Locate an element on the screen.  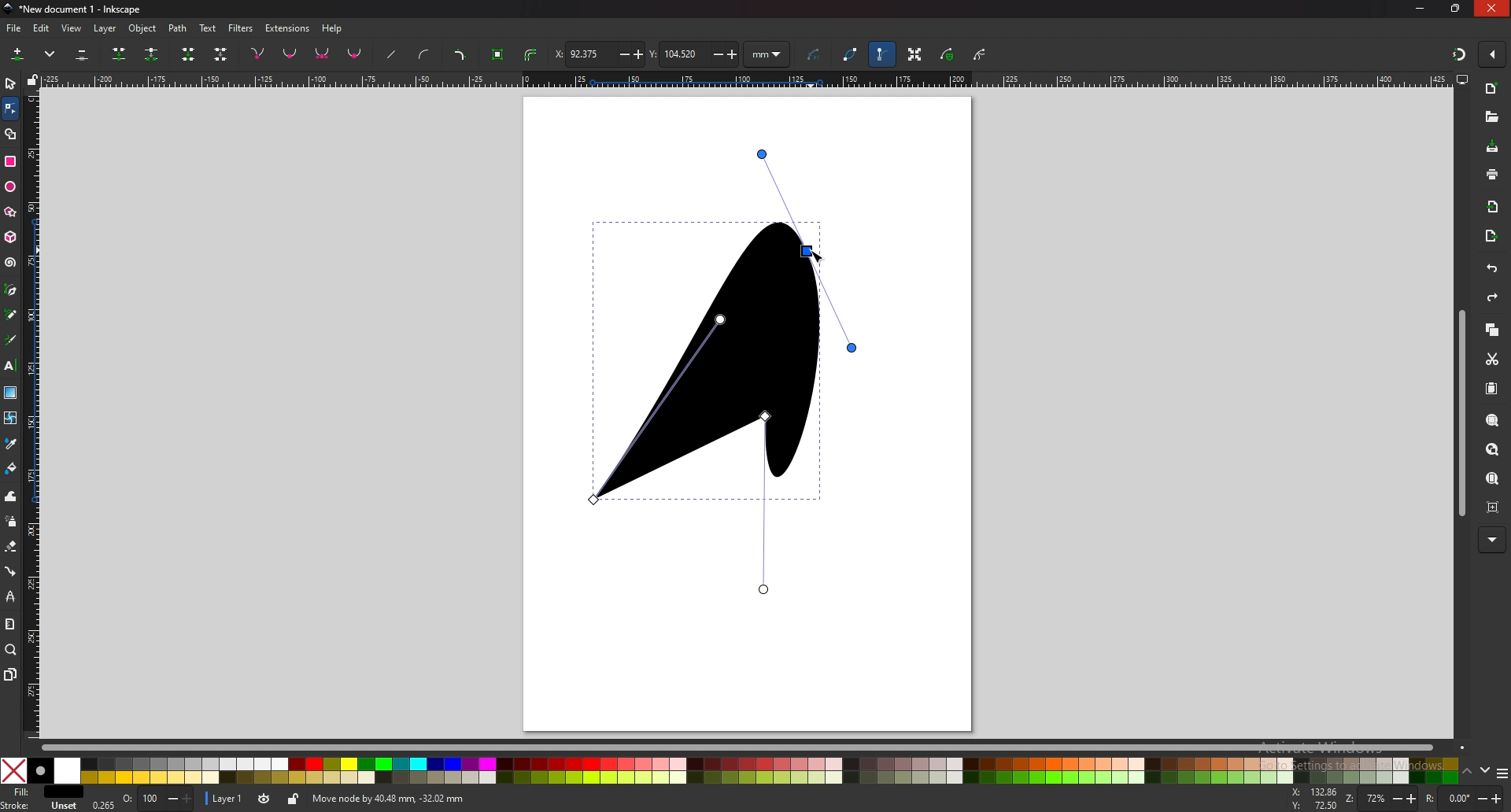
help is located at coordinates (332, 29).